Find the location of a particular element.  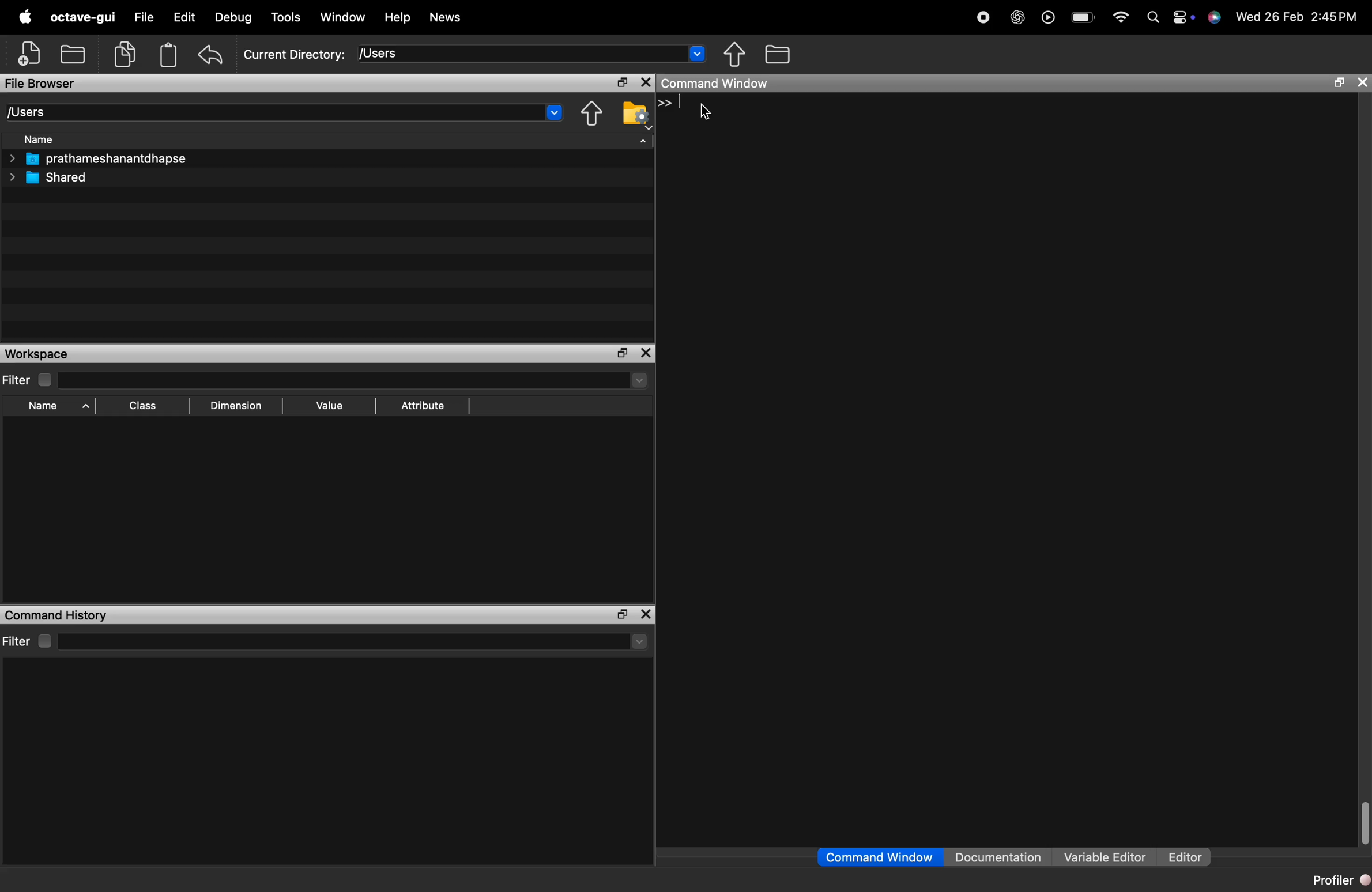

settings is located at coordinates (634, 119).